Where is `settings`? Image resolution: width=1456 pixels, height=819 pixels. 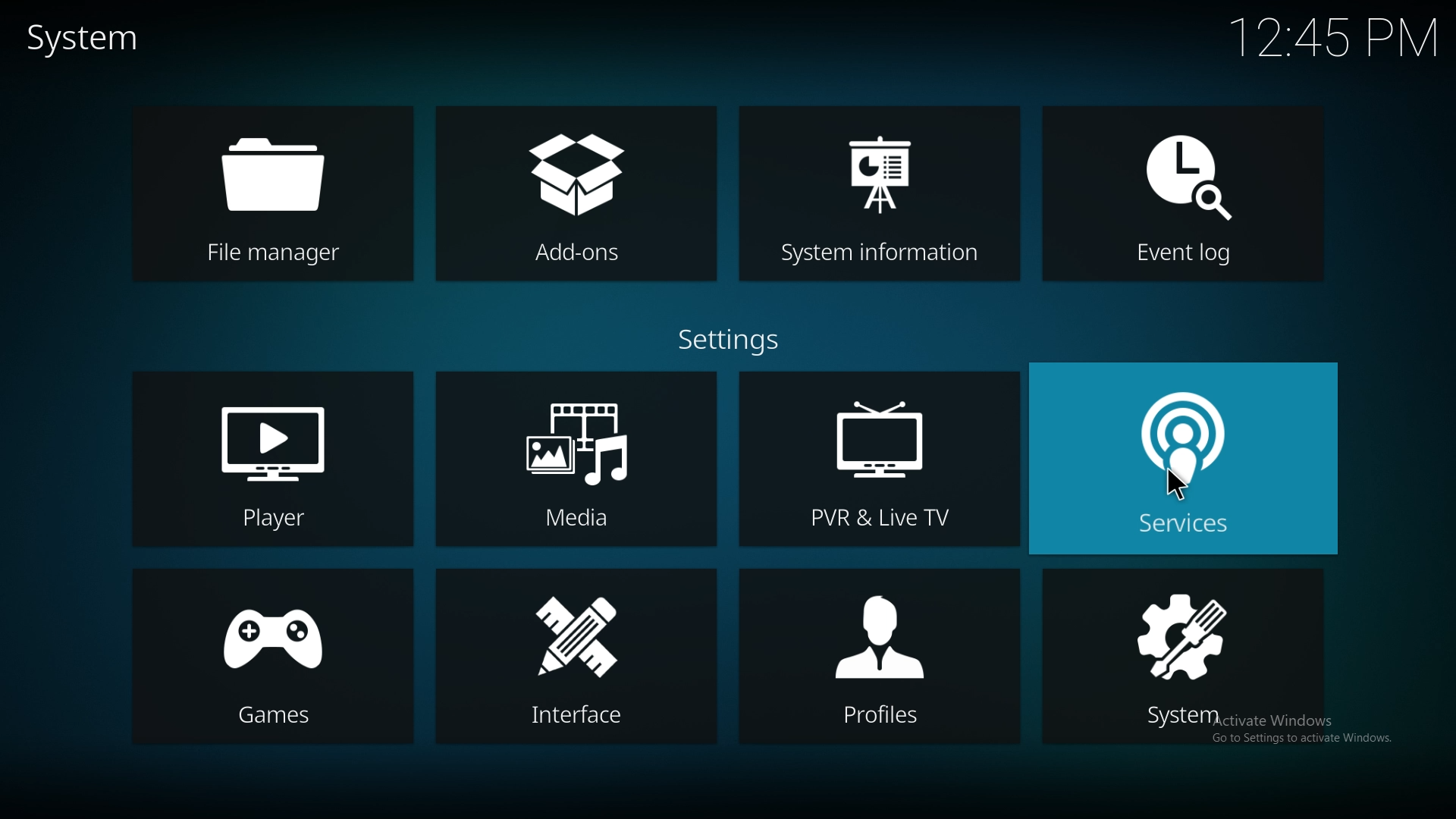 settings is located at coordinates (730, 340).